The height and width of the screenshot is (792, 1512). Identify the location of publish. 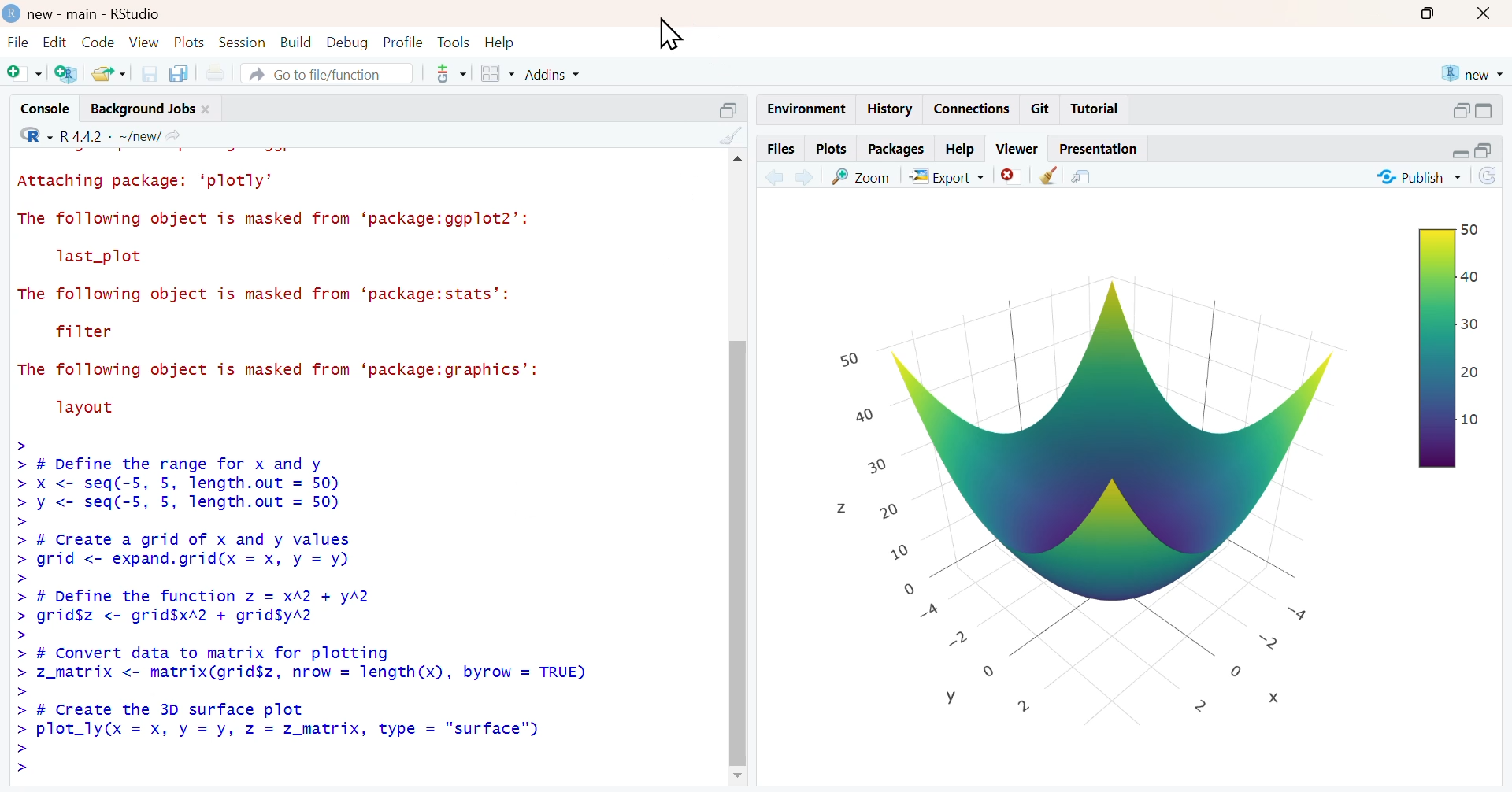
(1417, 179).